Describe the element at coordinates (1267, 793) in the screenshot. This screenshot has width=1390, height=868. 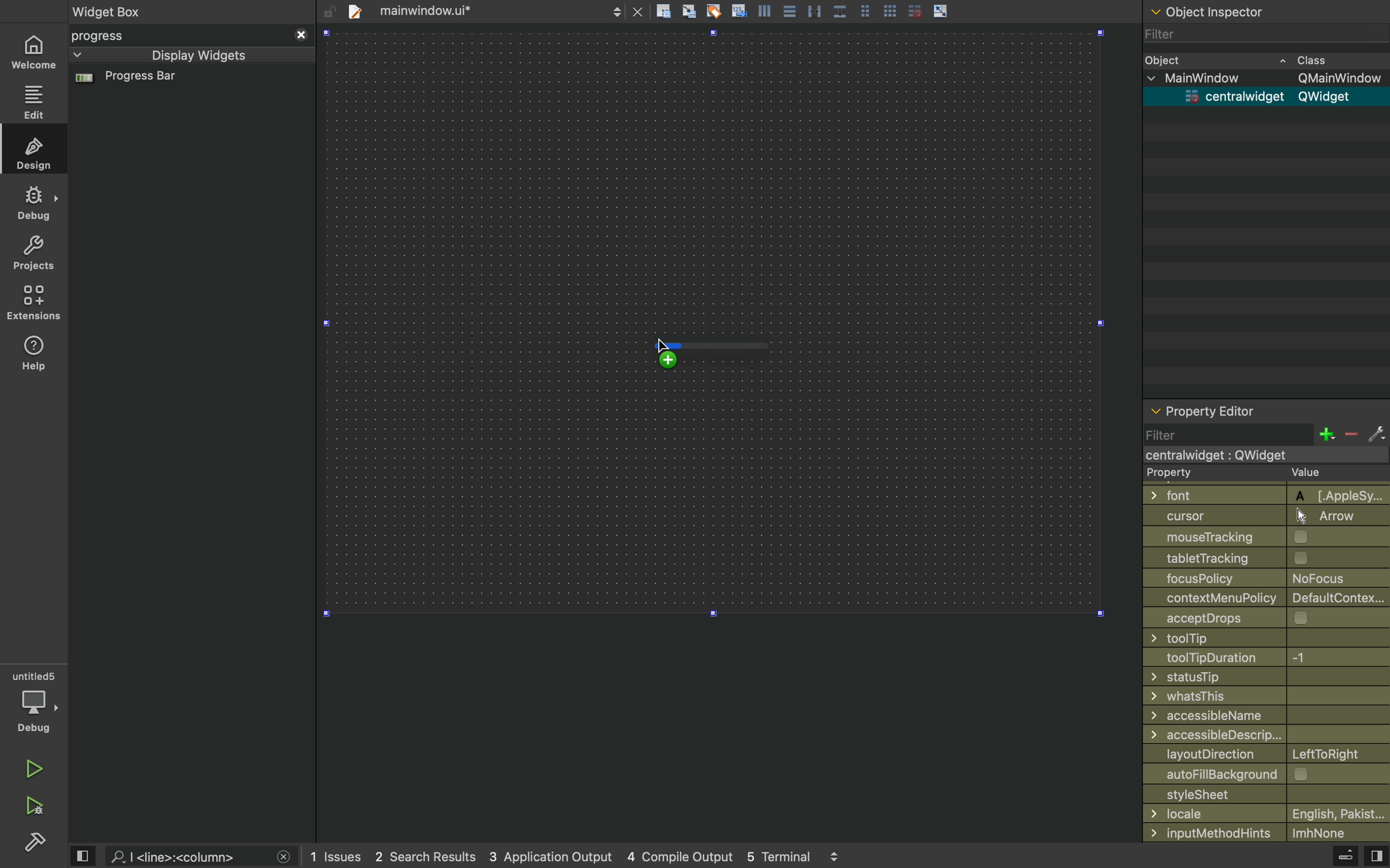
I see `stylesheet` at that location.